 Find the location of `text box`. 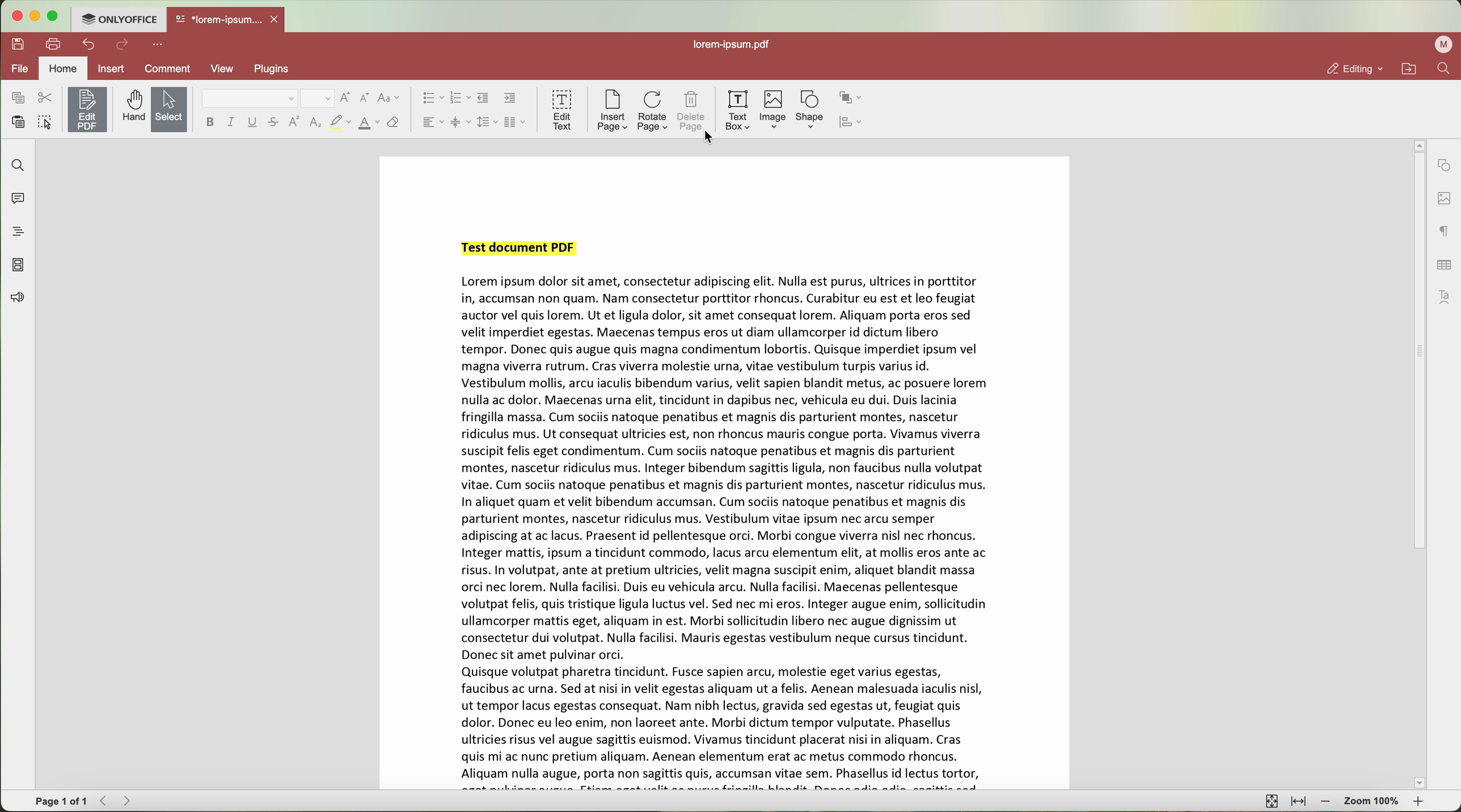

text box is located at coordinates (735, 111).